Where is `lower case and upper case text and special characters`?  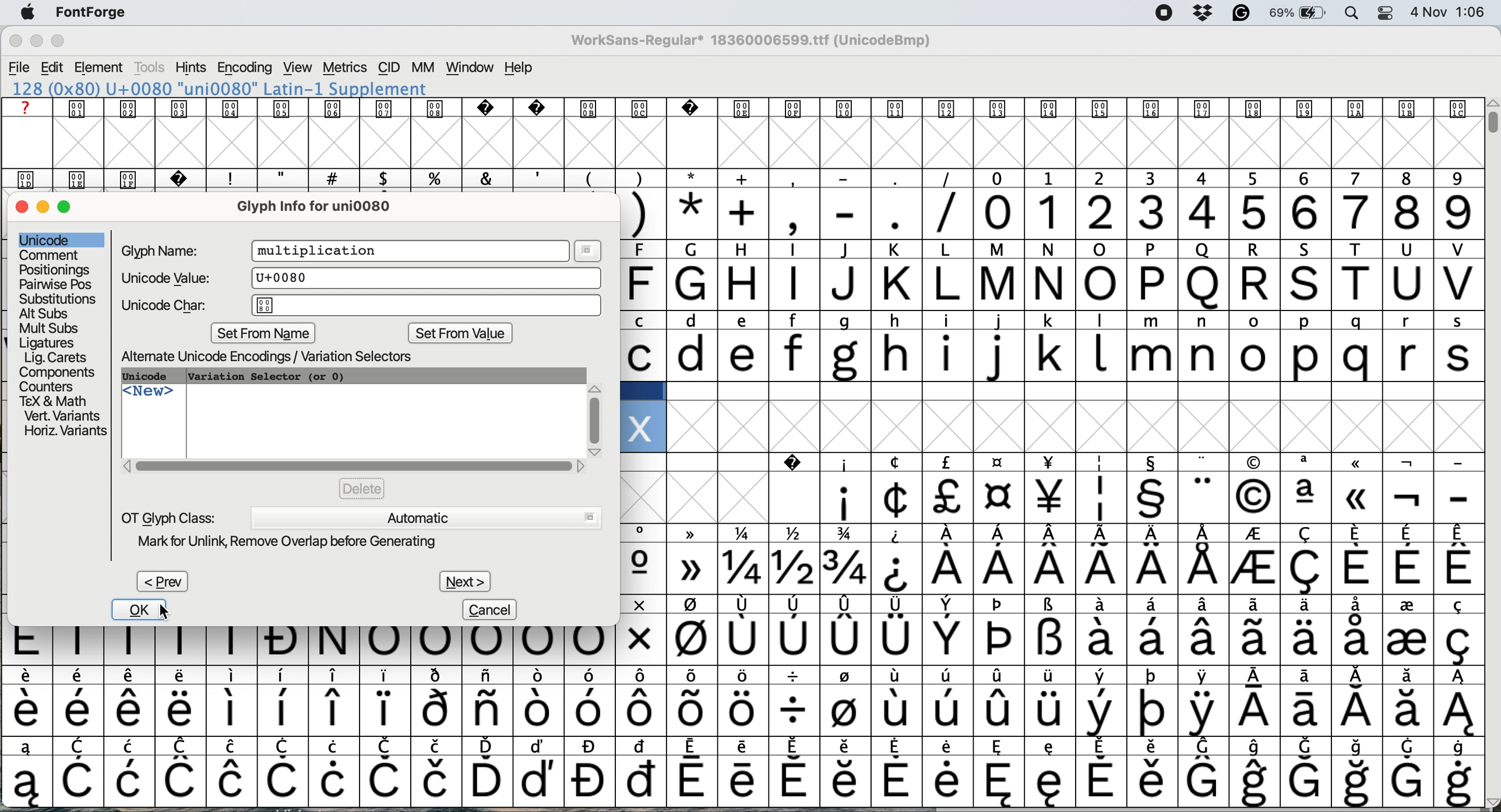
lower case and upper case text and special characters is located at coordinates (1052, 321).